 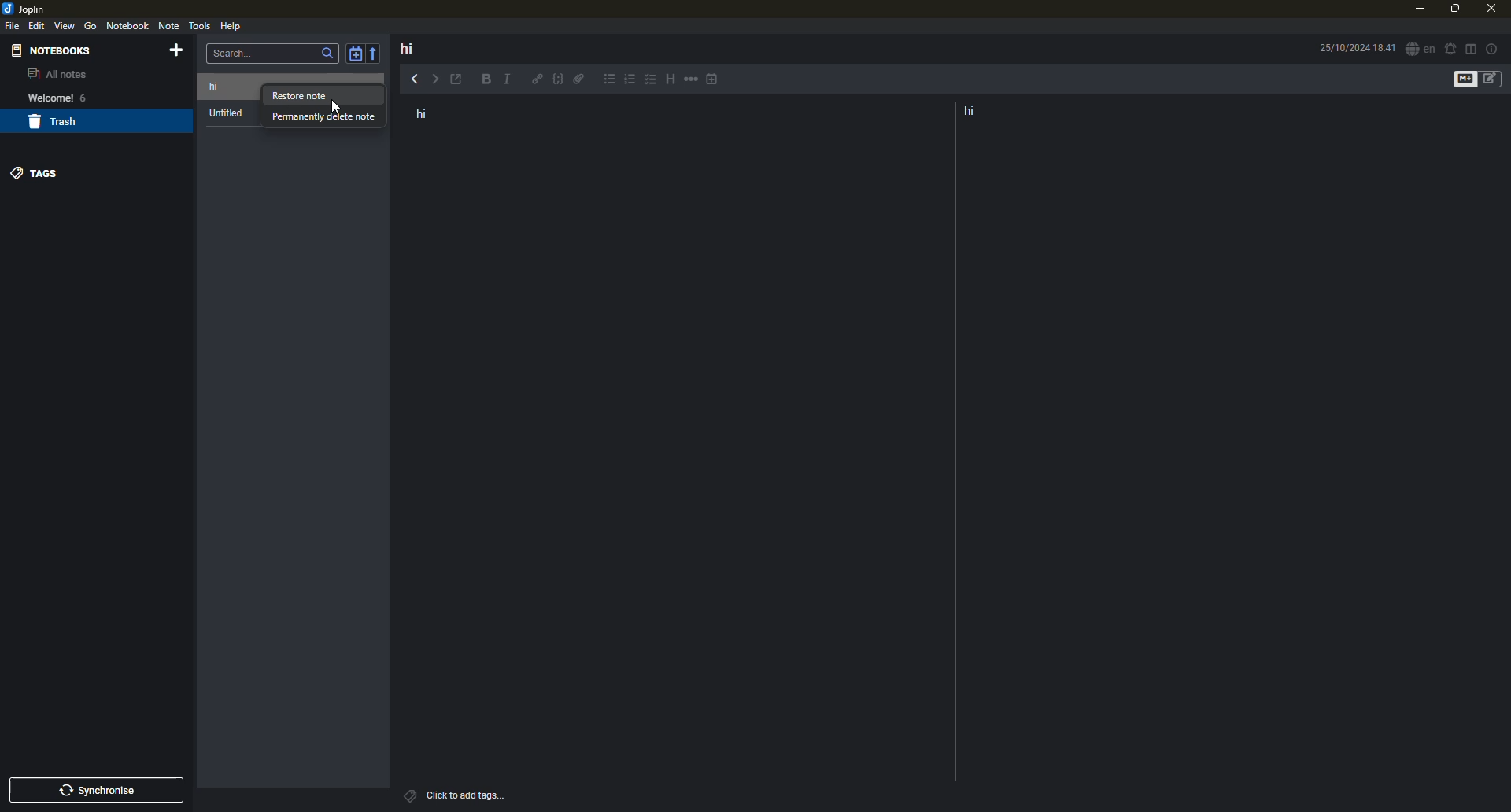 I want to click on bold, so click(x=484, y=80).